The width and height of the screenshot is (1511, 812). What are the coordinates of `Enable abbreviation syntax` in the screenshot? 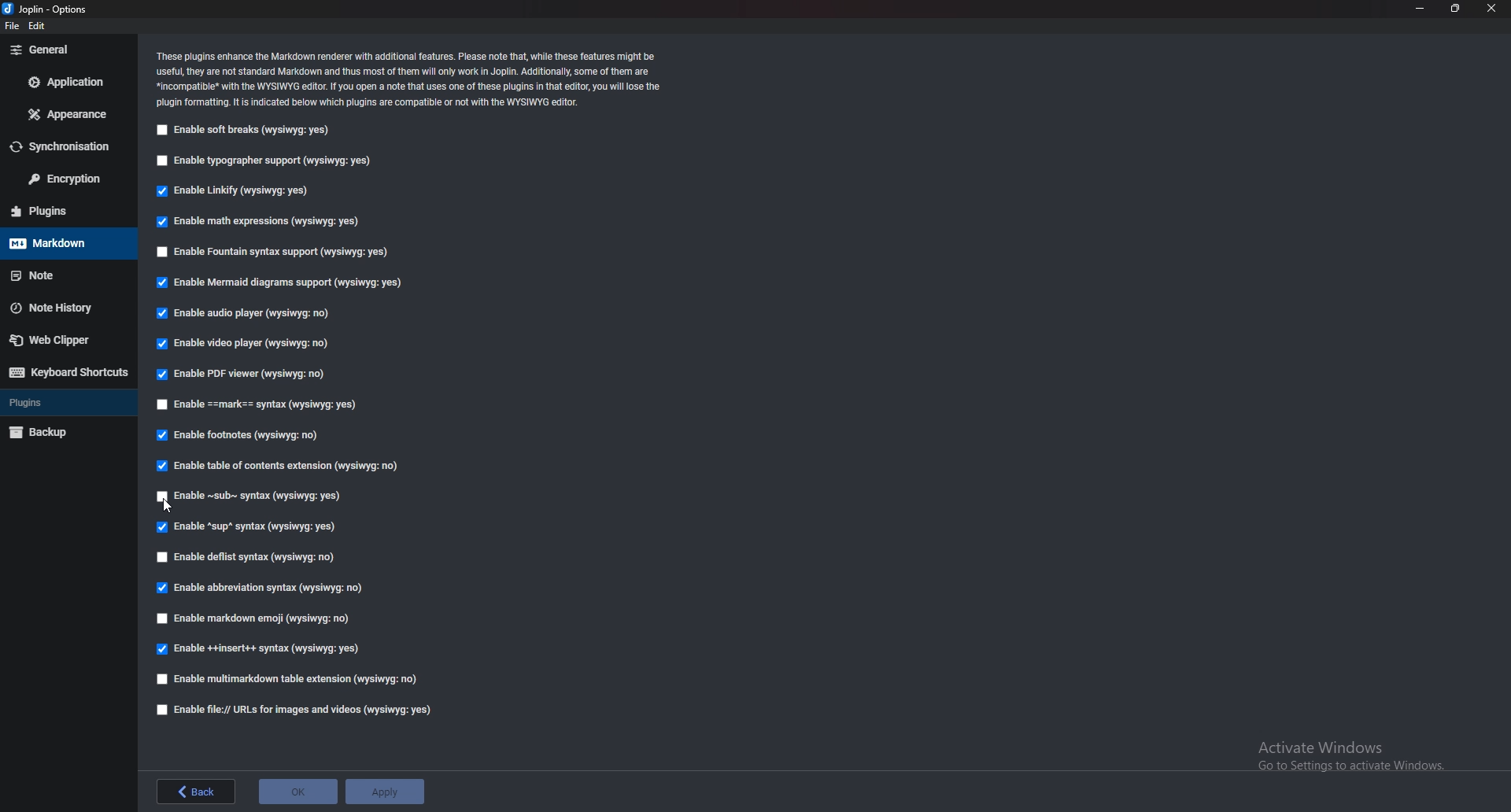 It's located at (269, 586).